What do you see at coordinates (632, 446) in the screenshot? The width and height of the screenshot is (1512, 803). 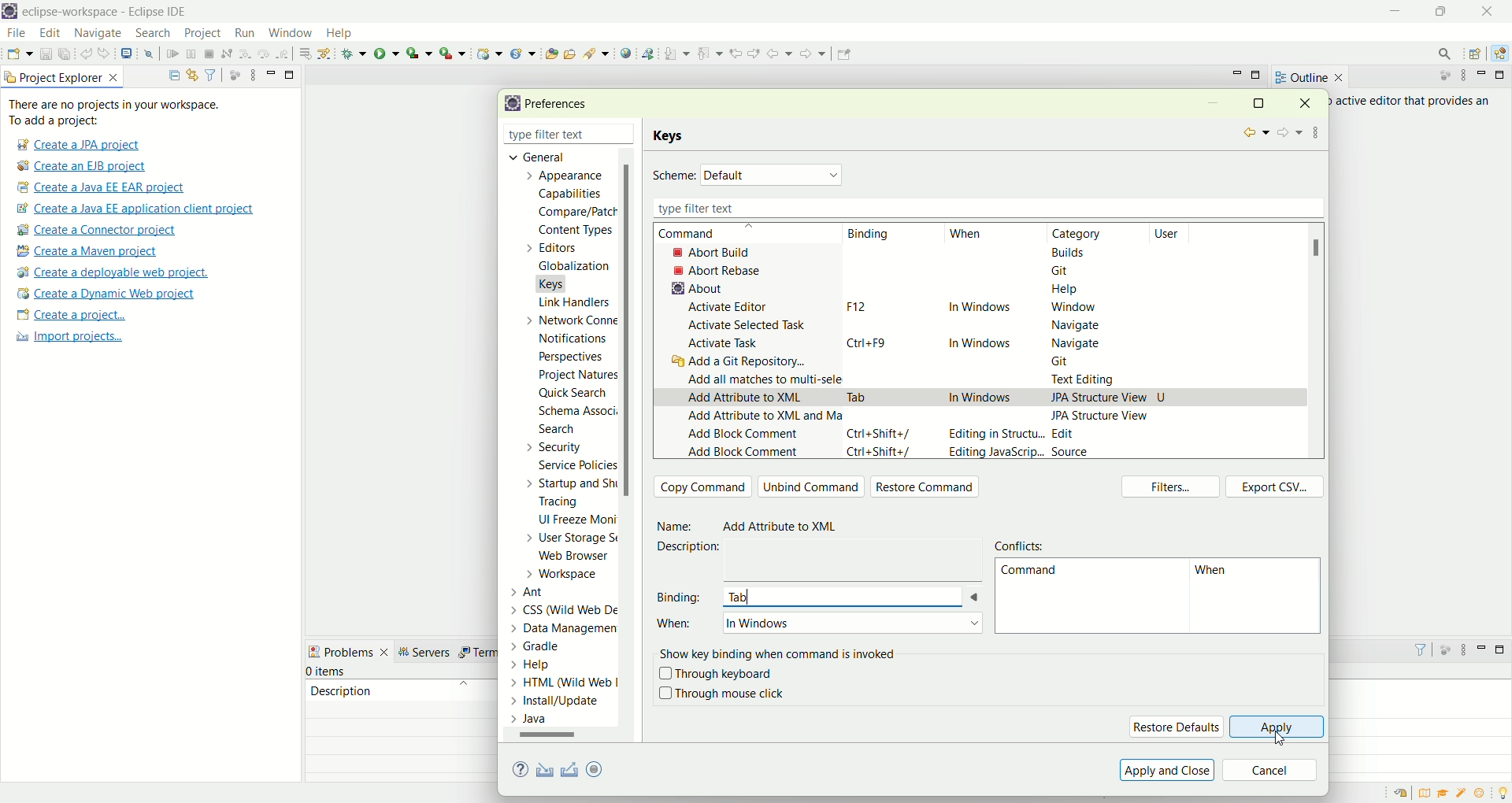 I see `scroll bar` at bounding box center [632, 446].